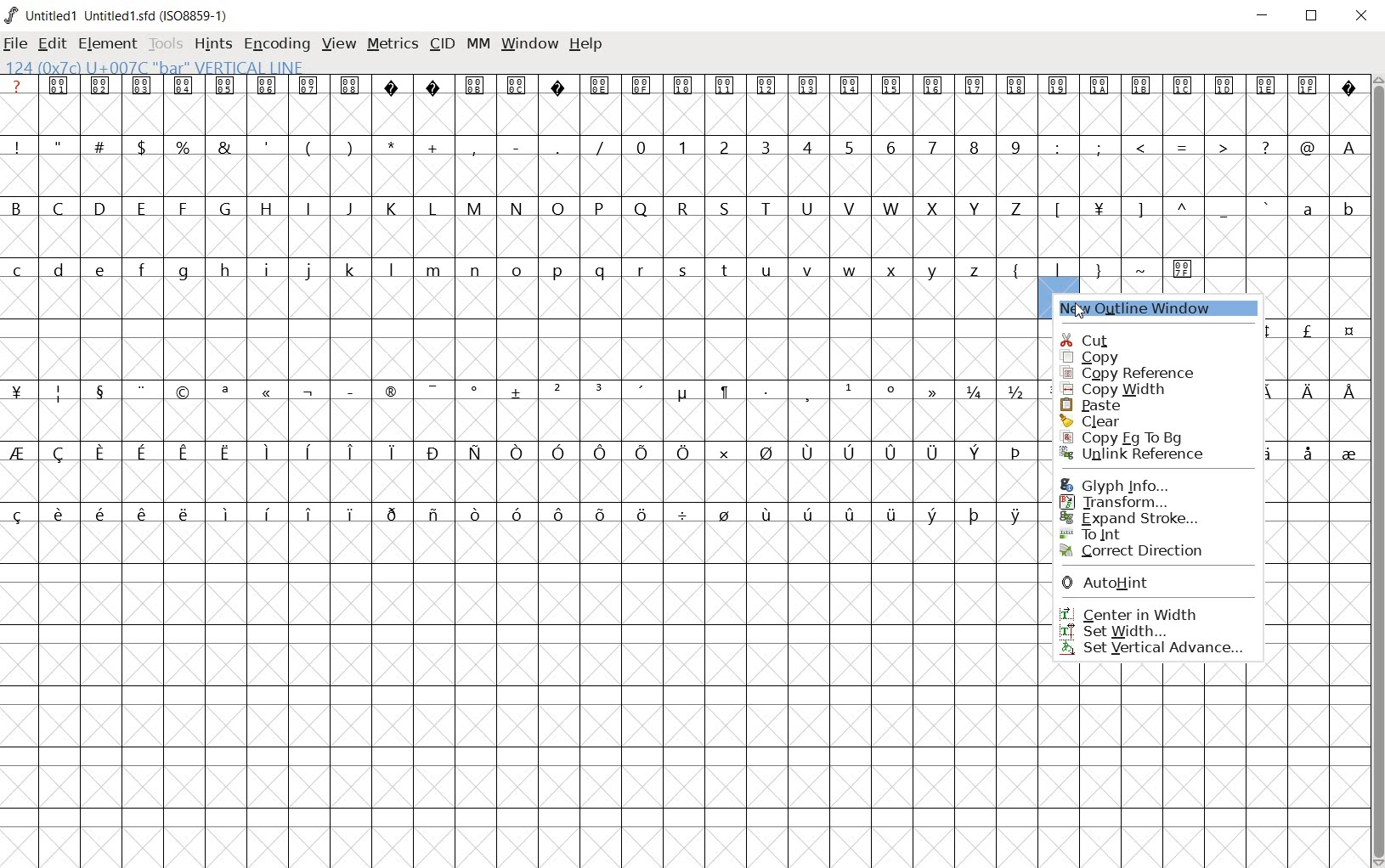 The image size is (1385, 868). Describe the element at coordinates (521, 479) in the screenshot. I see `empty cells` at that location.